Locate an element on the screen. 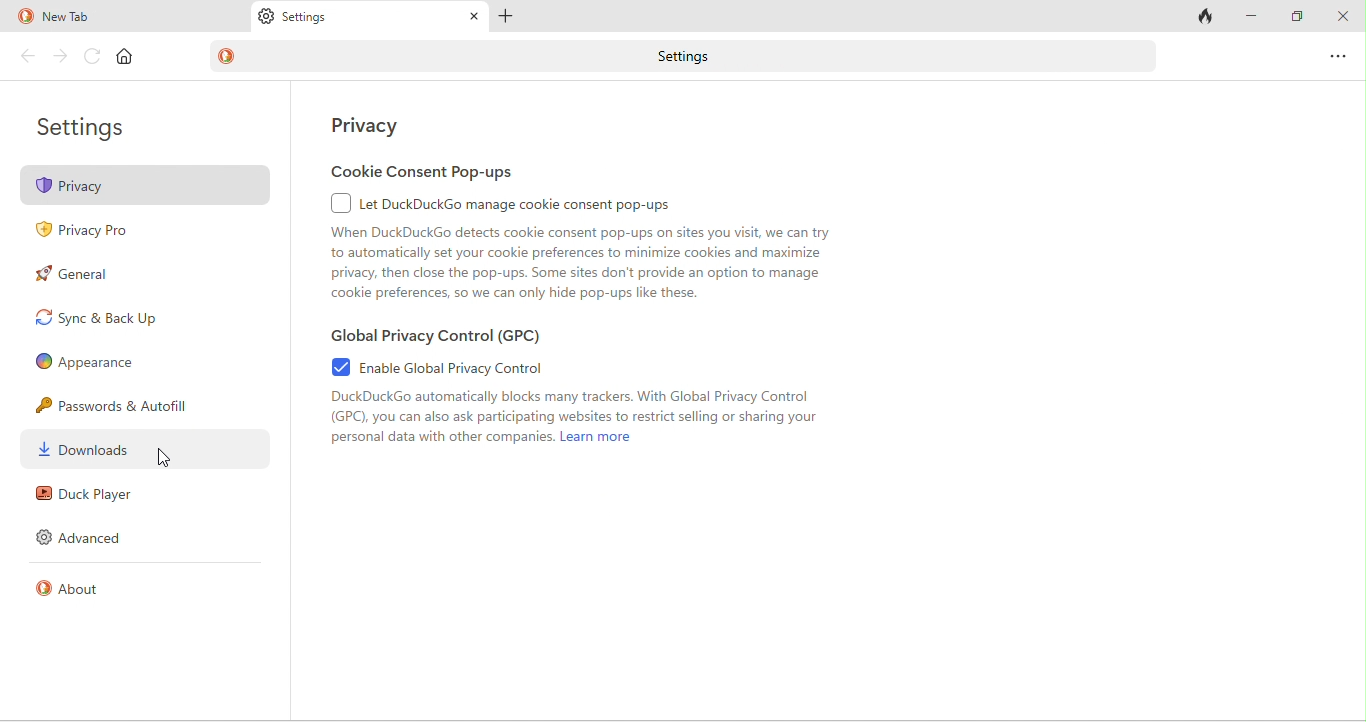  close is located at coordinates (1345, 20).